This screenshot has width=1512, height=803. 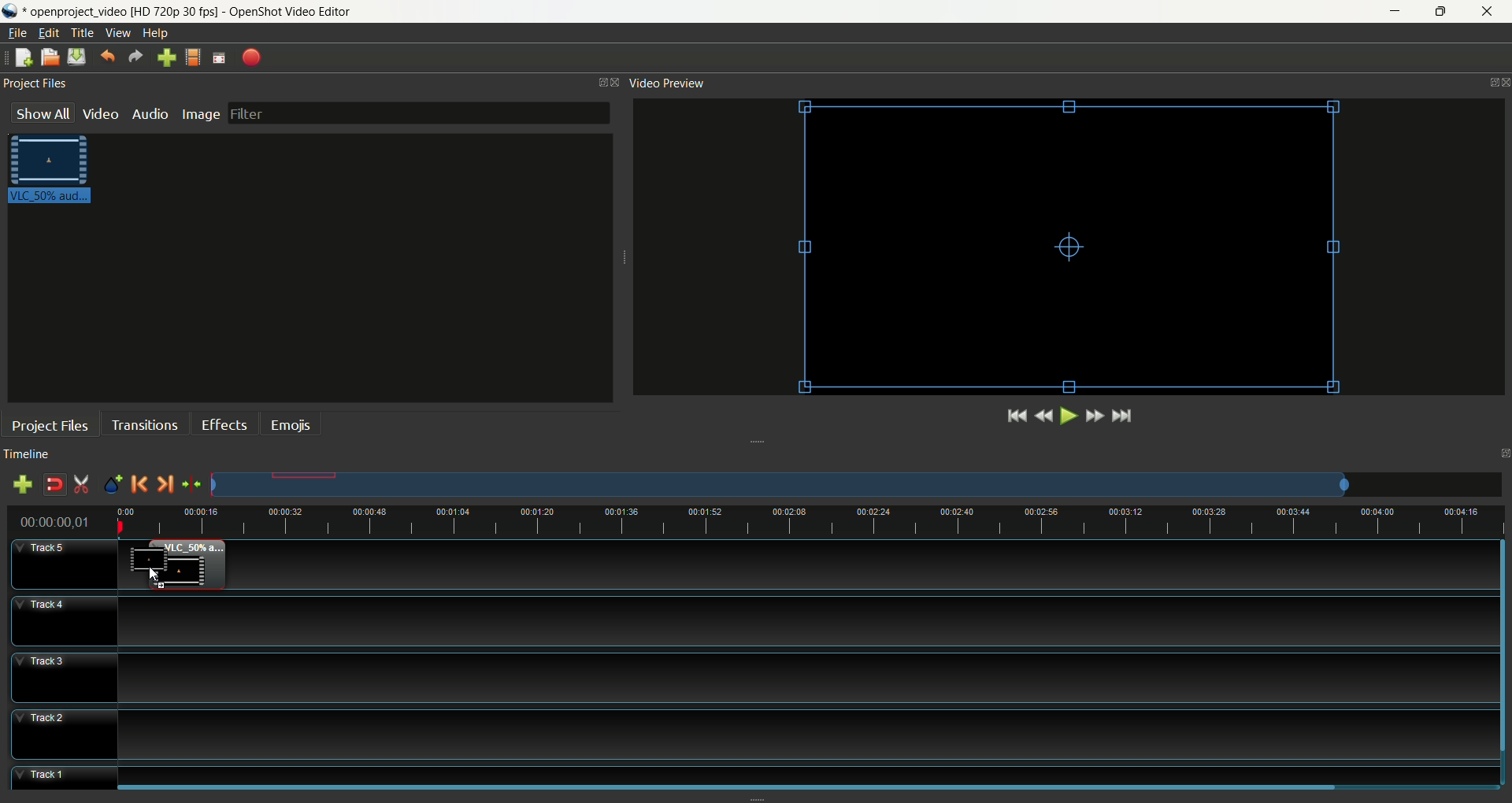 I want to click on video, so click(x=1065, y=252).